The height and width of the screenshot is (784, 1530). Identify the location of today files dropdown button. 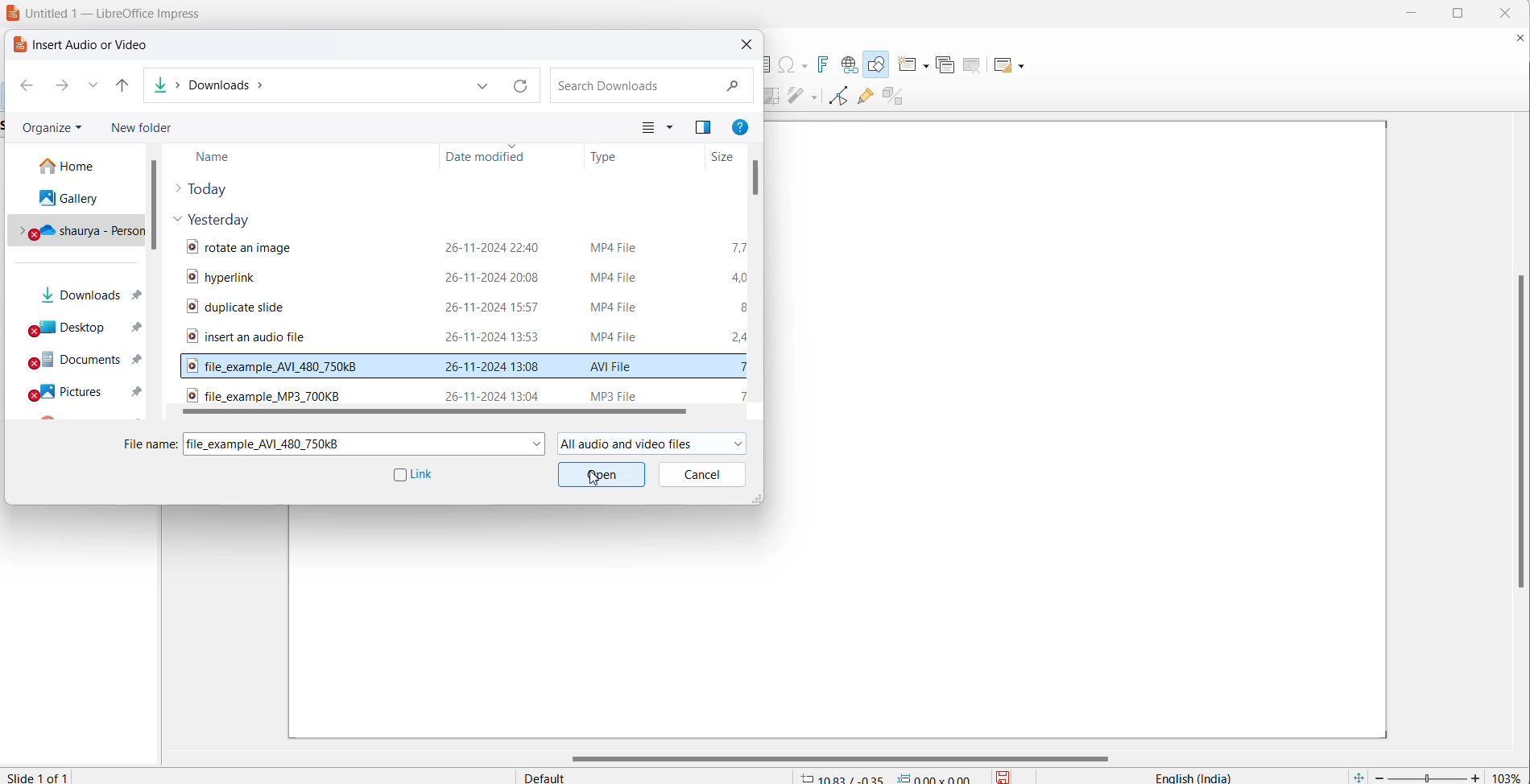
(209, 191).